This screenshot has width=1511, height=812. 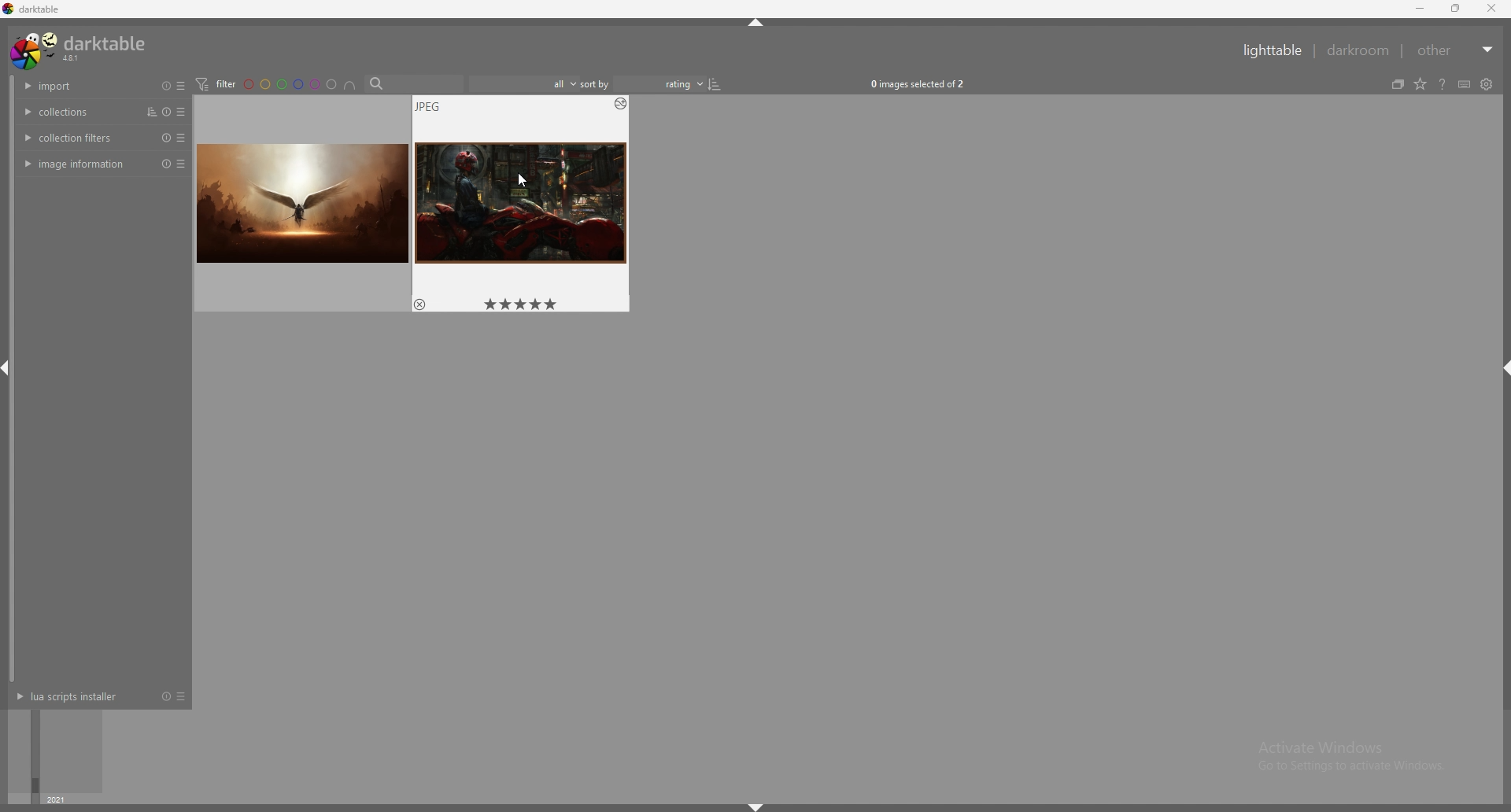 What do you see at coordinates (10, 377) in the screenshot?
I see `scroll bar` at bounding box center [10, 377].